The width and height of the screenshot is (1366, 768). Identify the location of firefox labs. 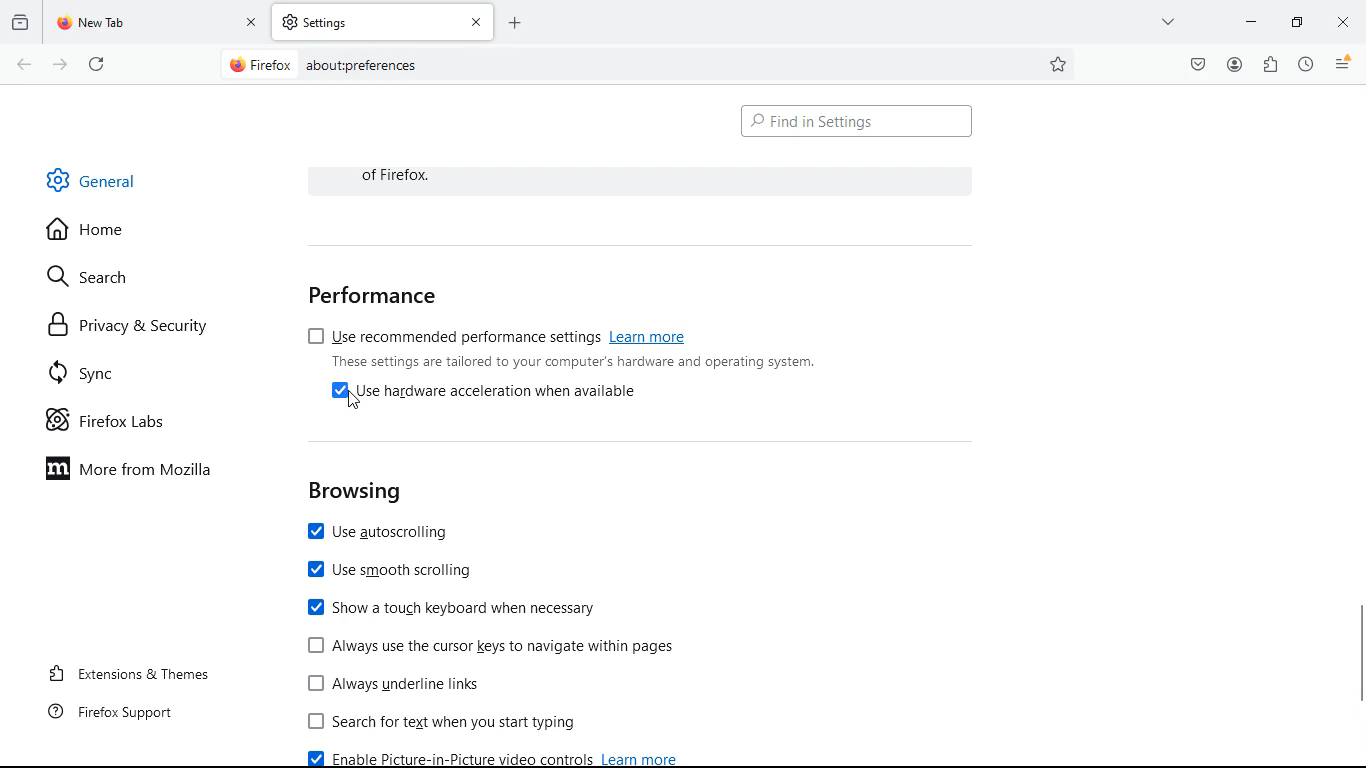
(114, 423).